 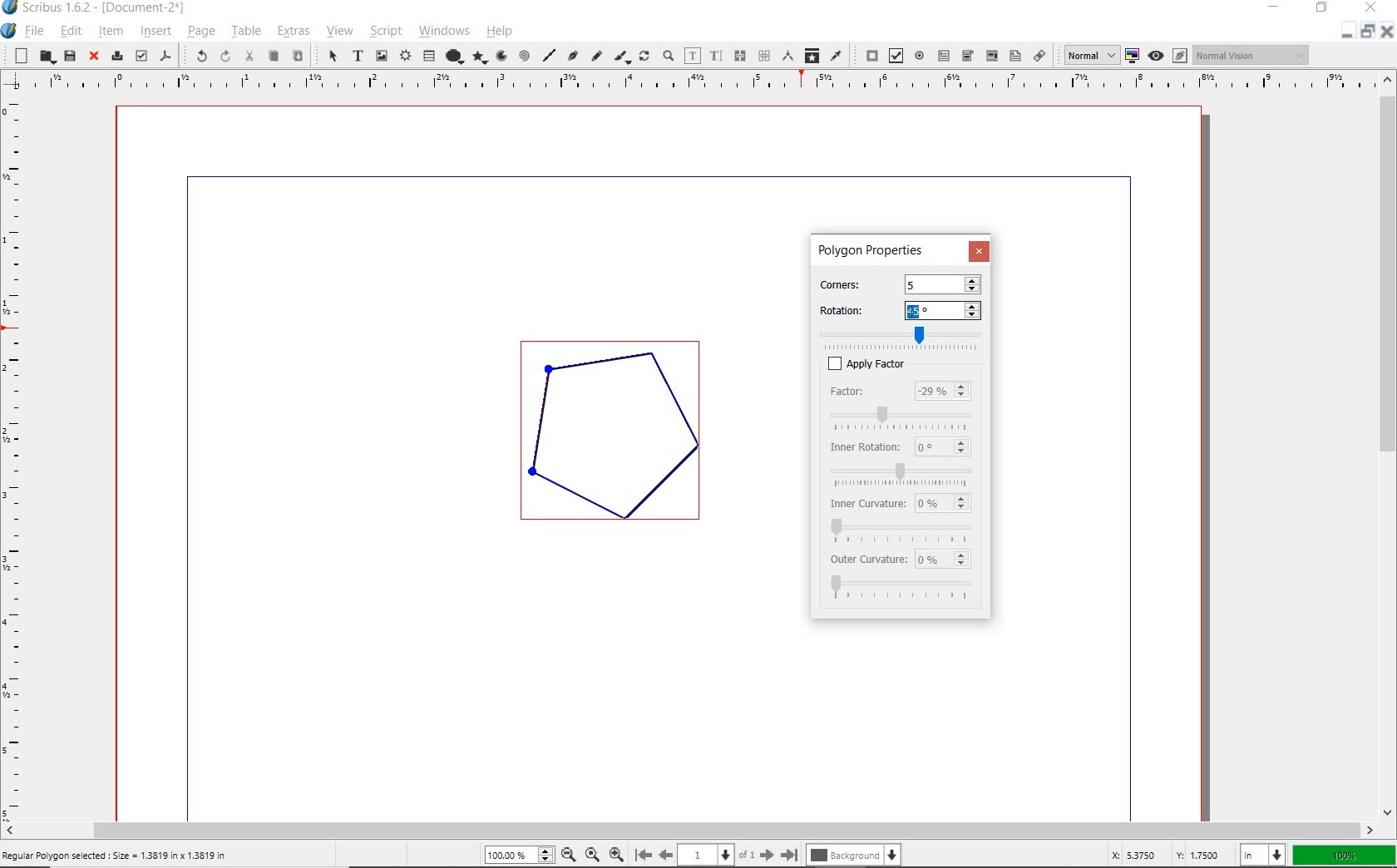 I want to click on save, so click(x=69, y=55).